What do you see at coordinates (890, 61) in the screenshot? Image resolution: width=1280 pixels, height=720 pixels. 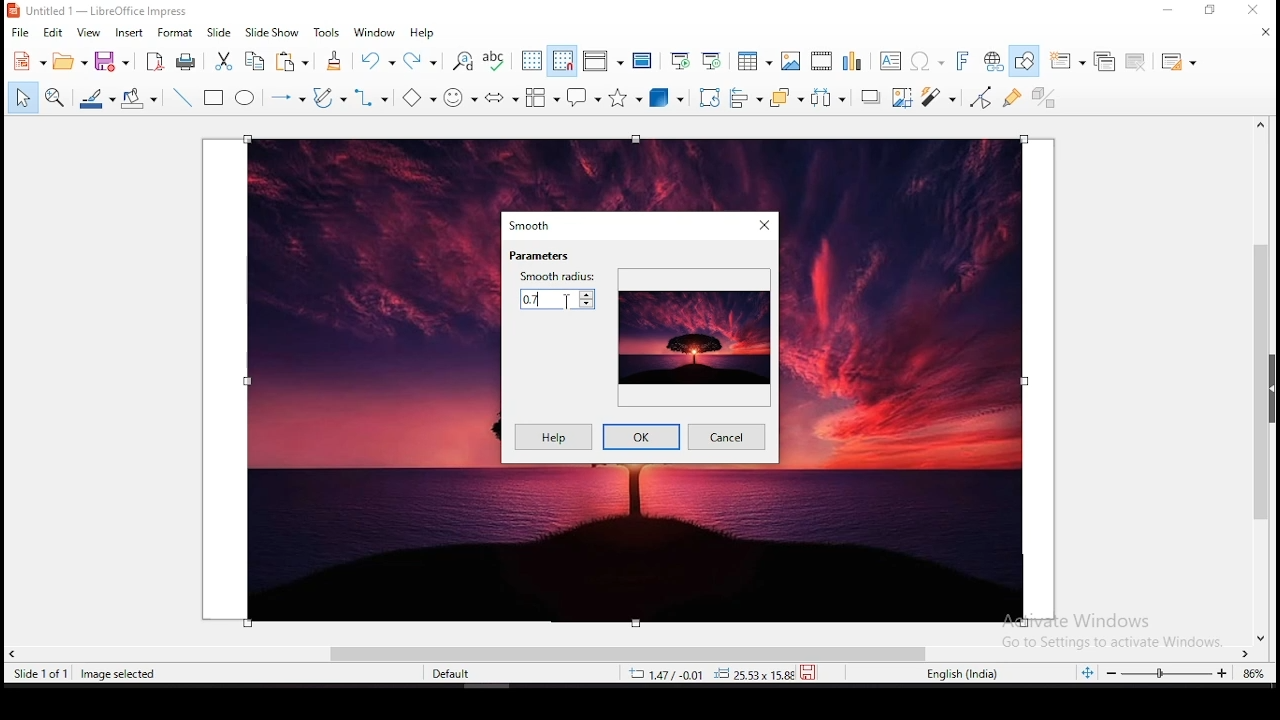 I see `text box` at bounding box center [890, 61].